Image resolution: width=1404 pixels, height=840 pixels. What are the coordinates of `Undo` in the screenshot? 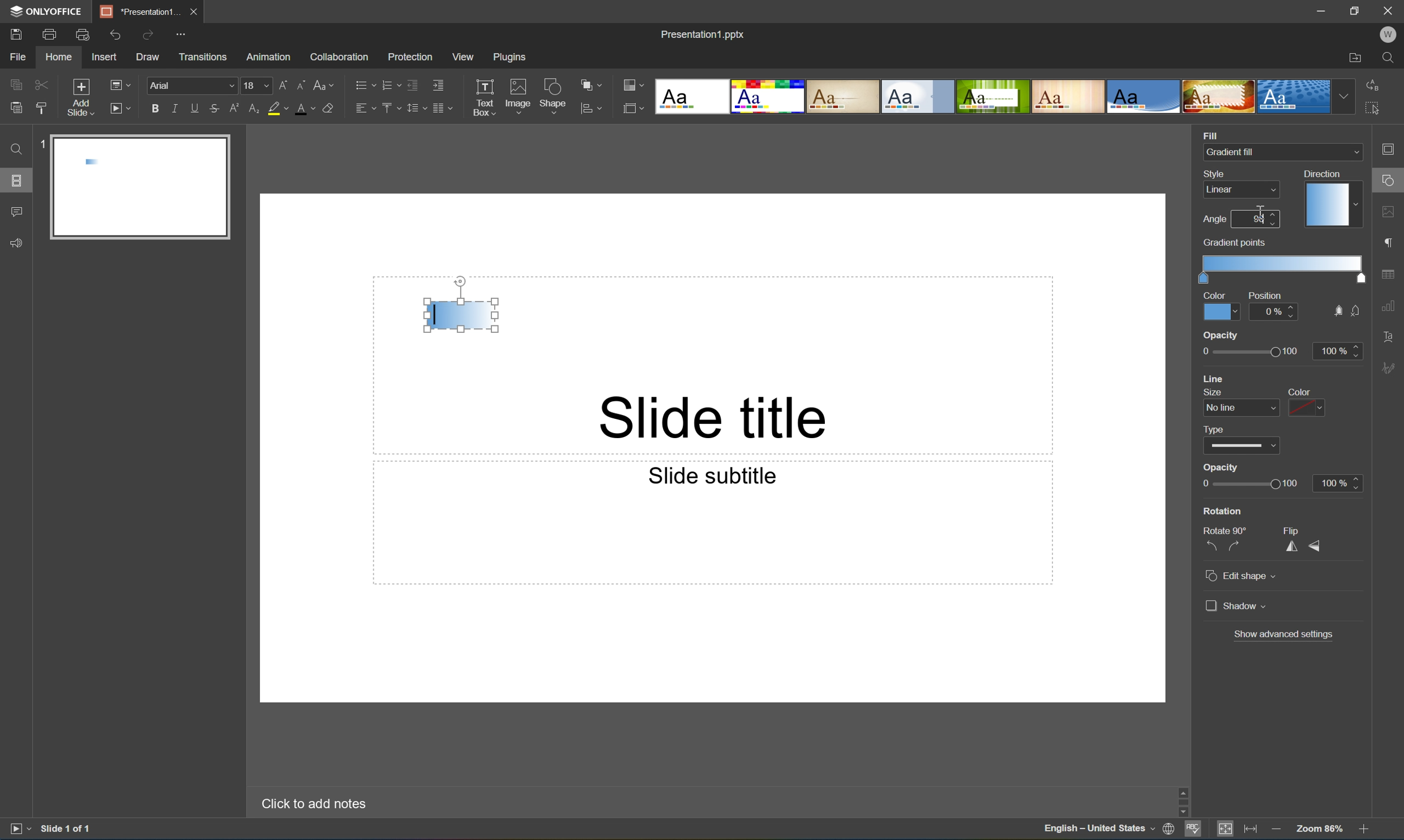 It's located at (113, 35).